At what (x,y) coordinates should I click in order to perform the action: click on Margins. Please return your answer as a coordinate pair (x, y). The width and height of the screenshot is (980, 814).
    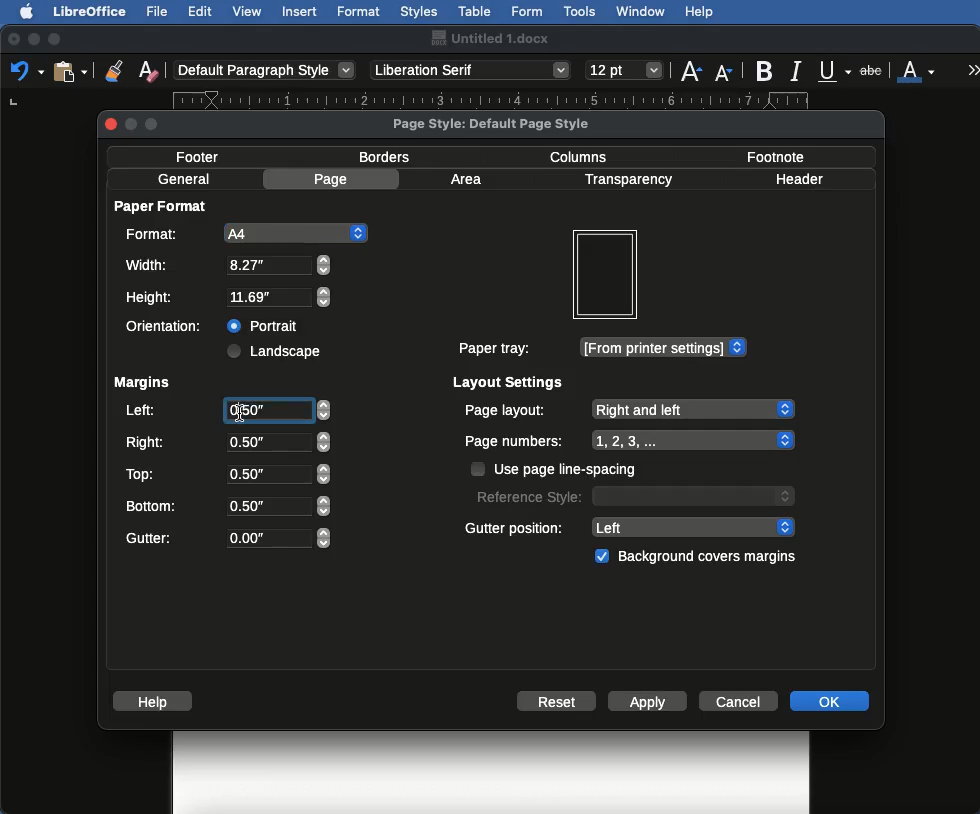
    Looking at the image, I should click on (141, 383).